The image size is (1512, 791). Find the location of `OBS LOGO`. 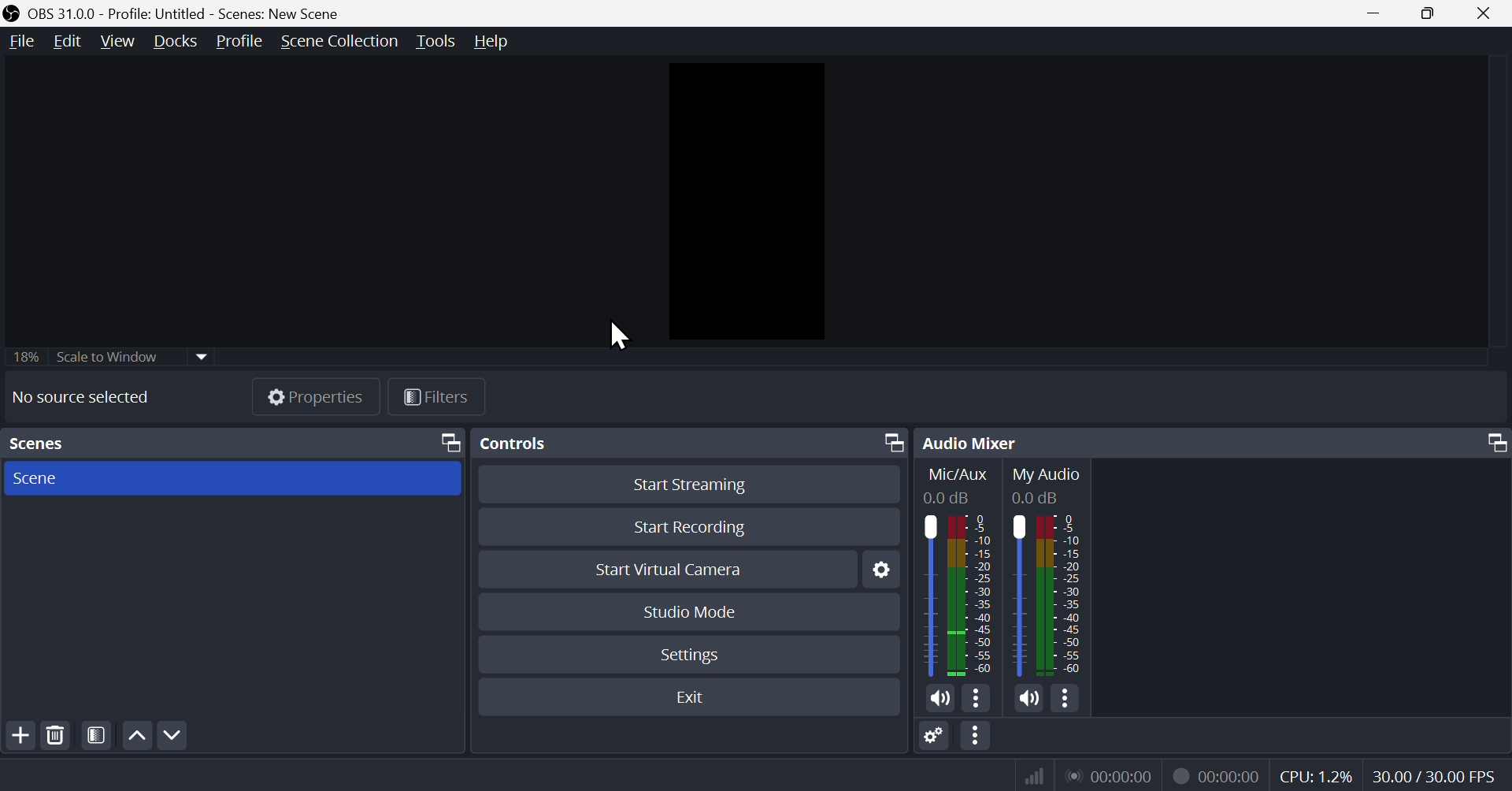

OBS LOGO is located at coordinates (11, 13).